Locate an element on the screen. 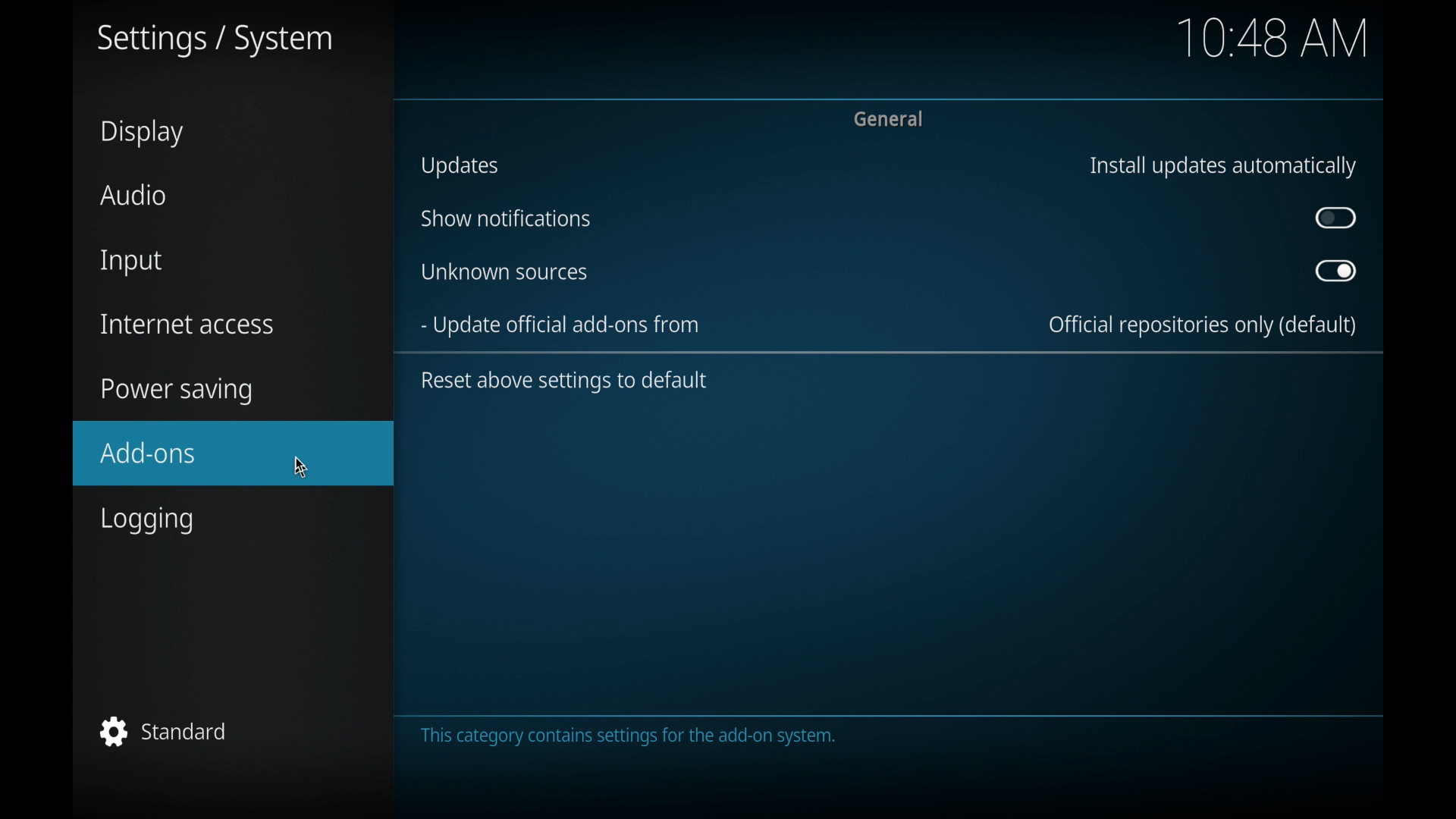  updates is located at coordinates (459, 166).